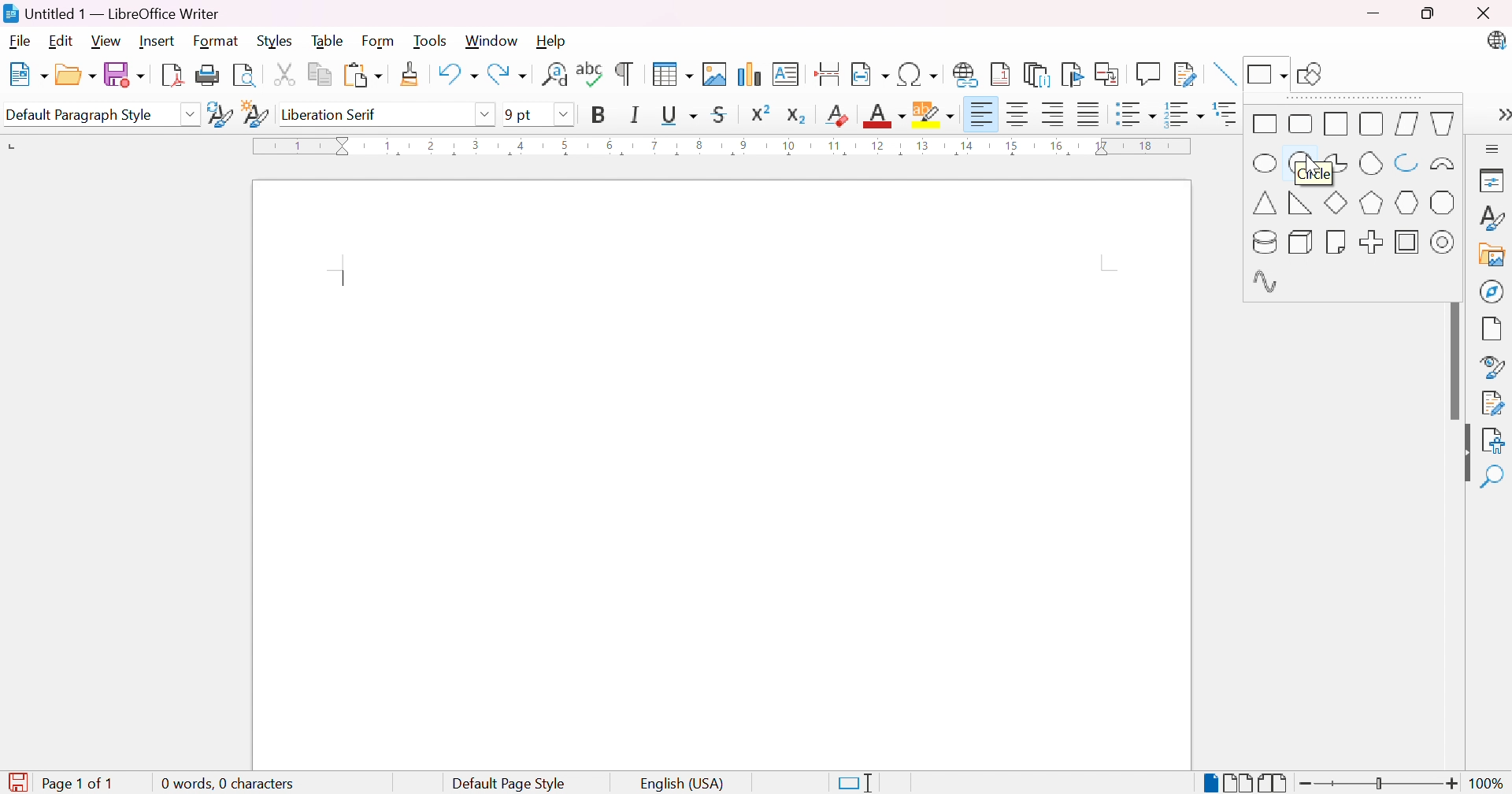 This screenshot has height=794, width=1512. I want to click on Arc, so click(1407, 160).